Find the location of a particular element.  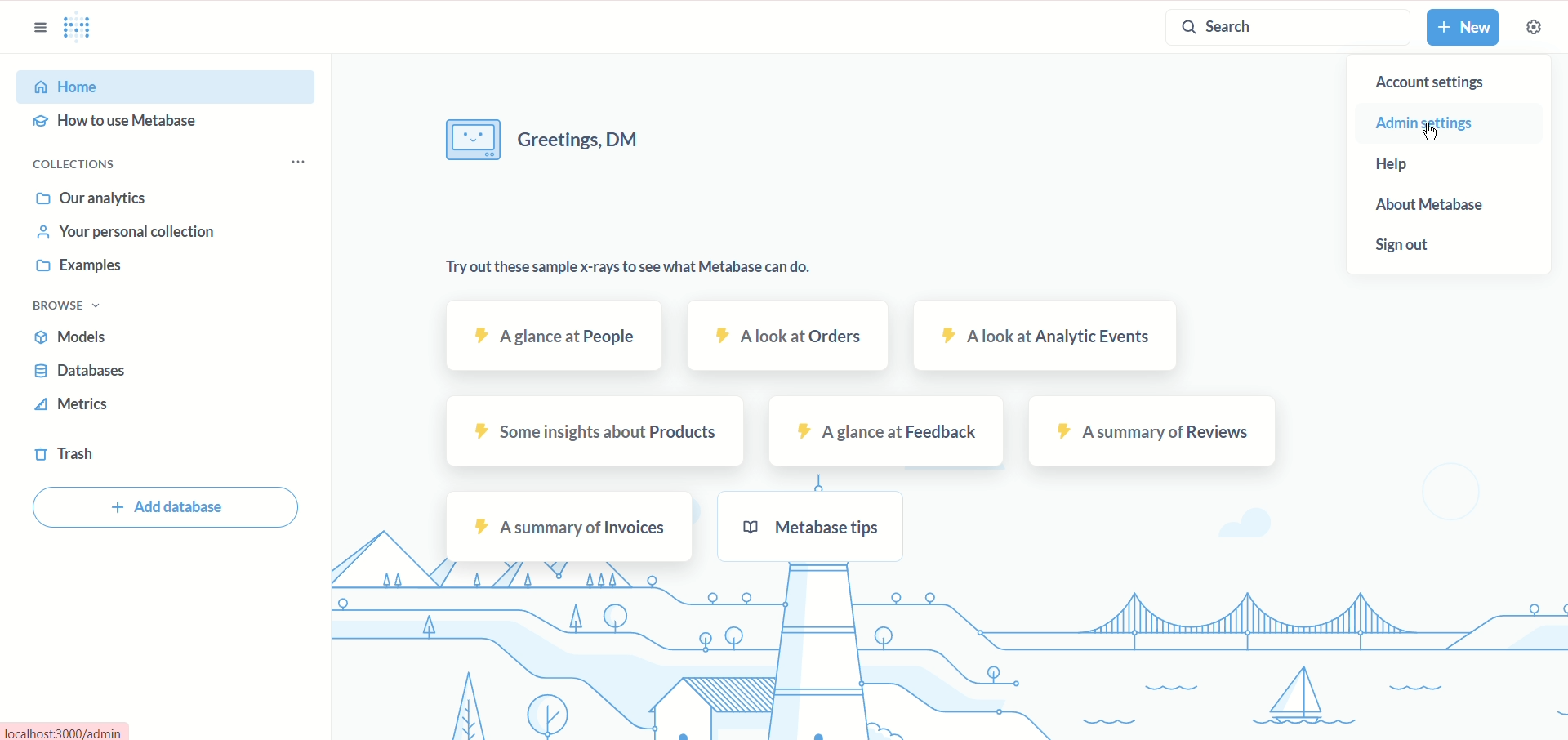

cursor is located at coordinates (1432, 133).